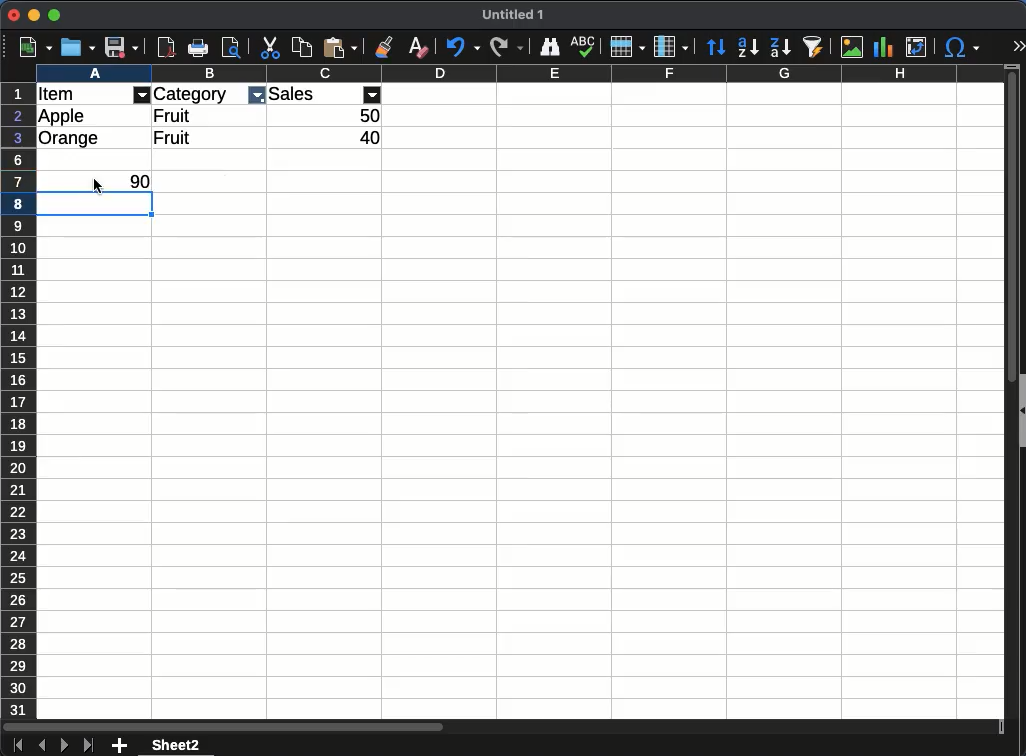 The width and height of the screenshot is (1026, 756). I want to click on redo, so click(506, 48).